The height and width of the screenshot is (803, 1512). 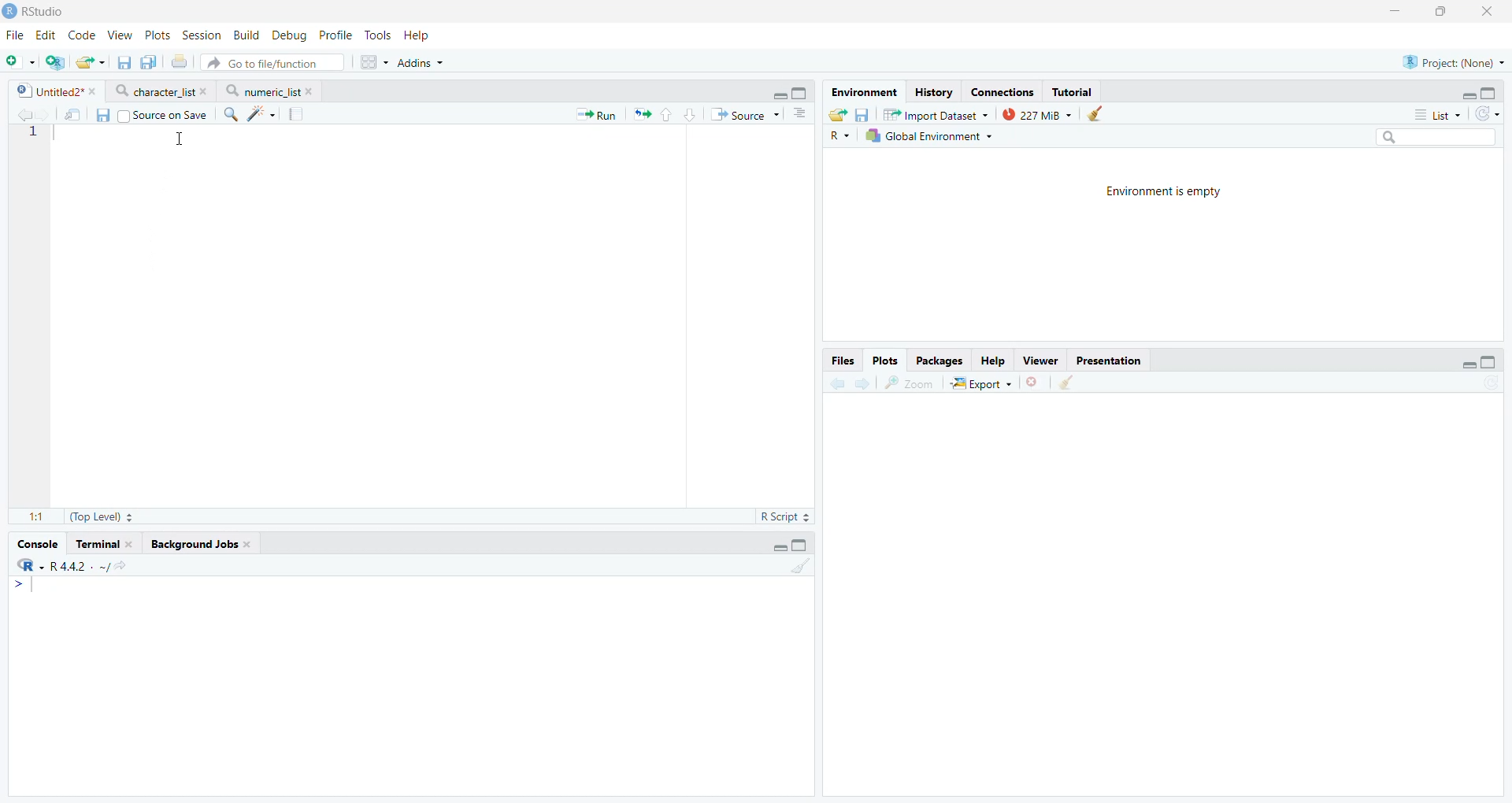 I want to click on Hide, so click(x=1468, y=94).